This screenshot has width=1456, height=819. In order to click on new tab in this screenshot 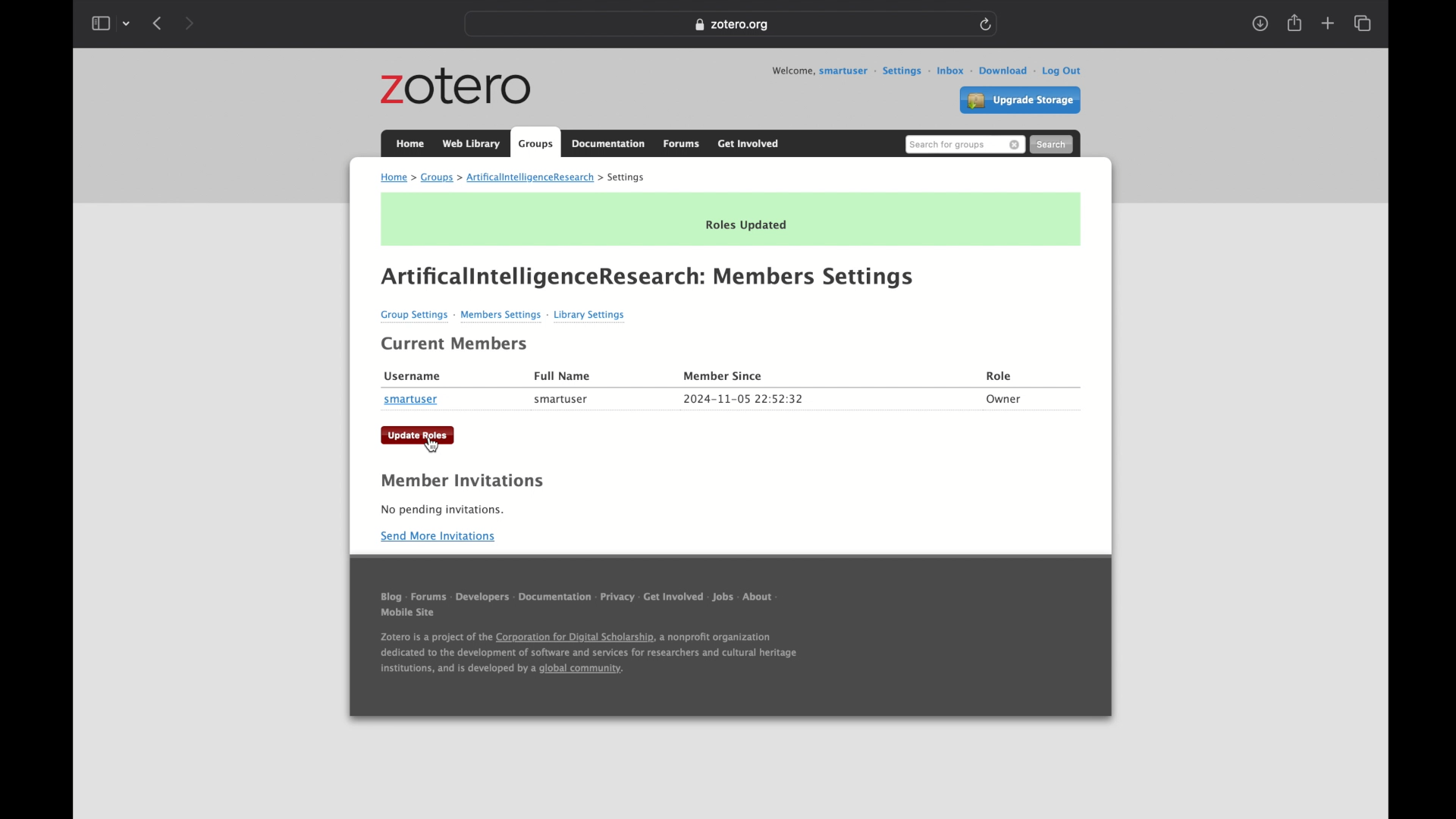, I will do `click(1328, 23)`.